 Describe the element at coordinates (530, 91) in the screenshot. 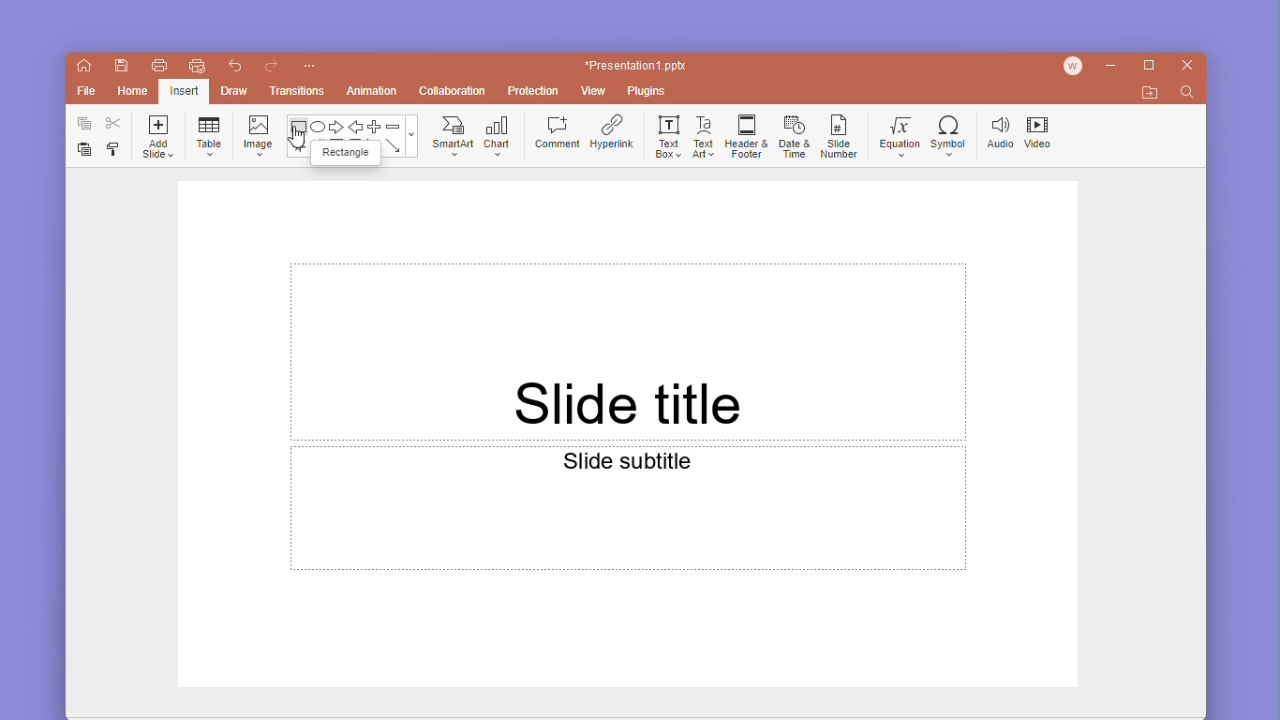

I see `protection` at that location.